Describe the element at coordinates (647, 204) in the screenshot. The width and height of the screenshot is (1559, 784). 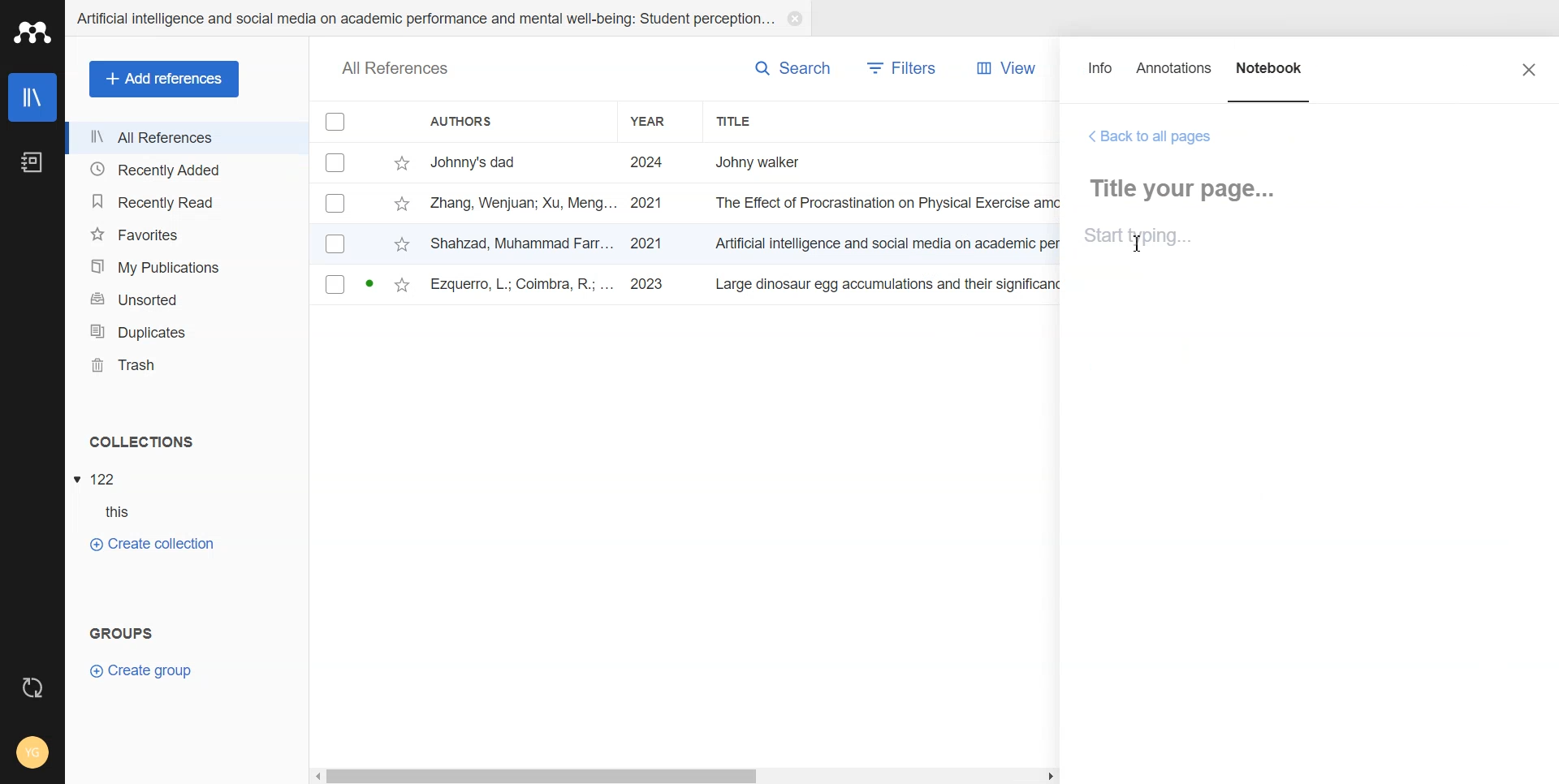
I see `2021` at that location.